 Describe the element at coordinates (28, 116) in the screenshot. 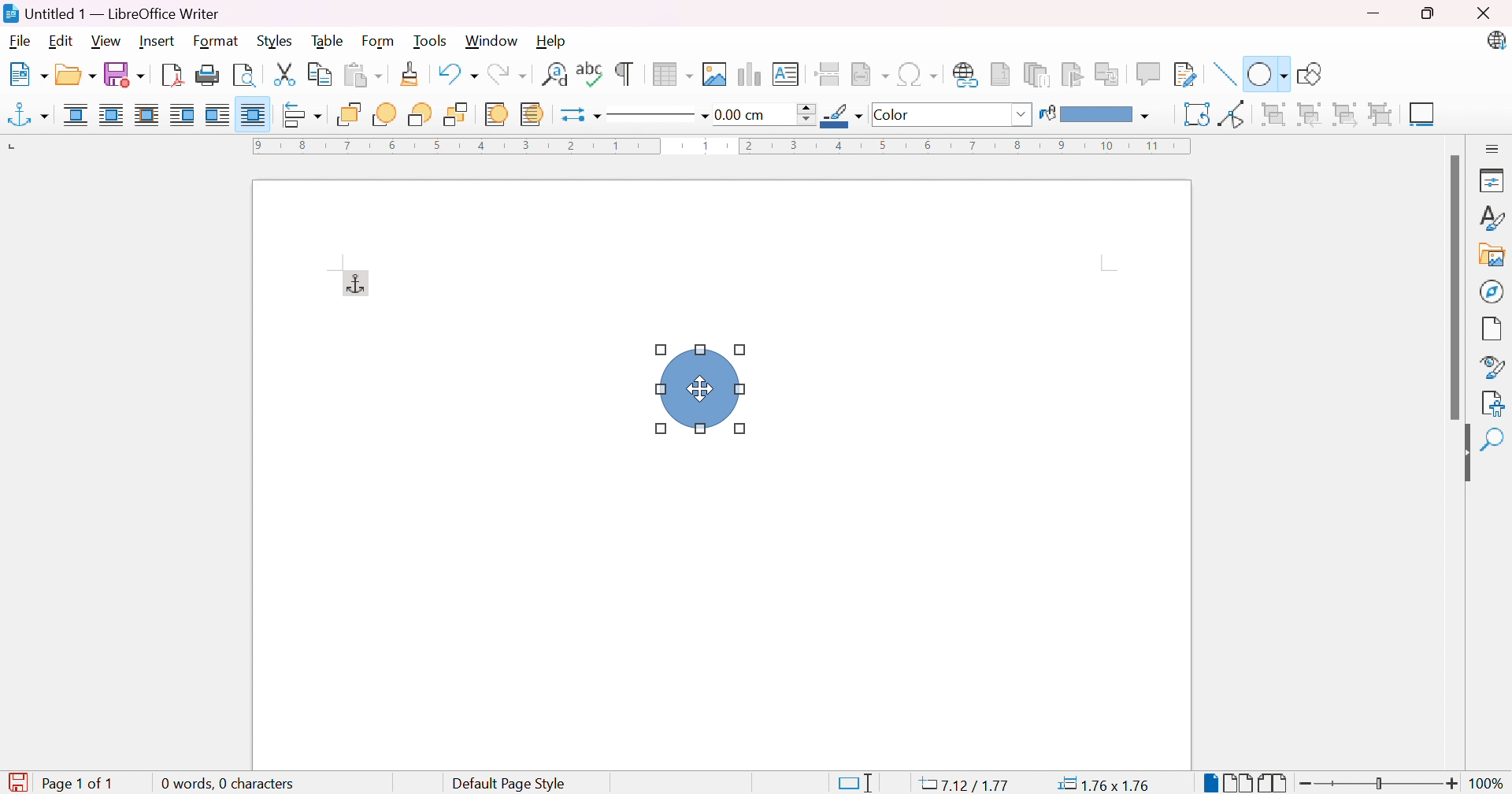

I see `Select anchor for object` at that location.